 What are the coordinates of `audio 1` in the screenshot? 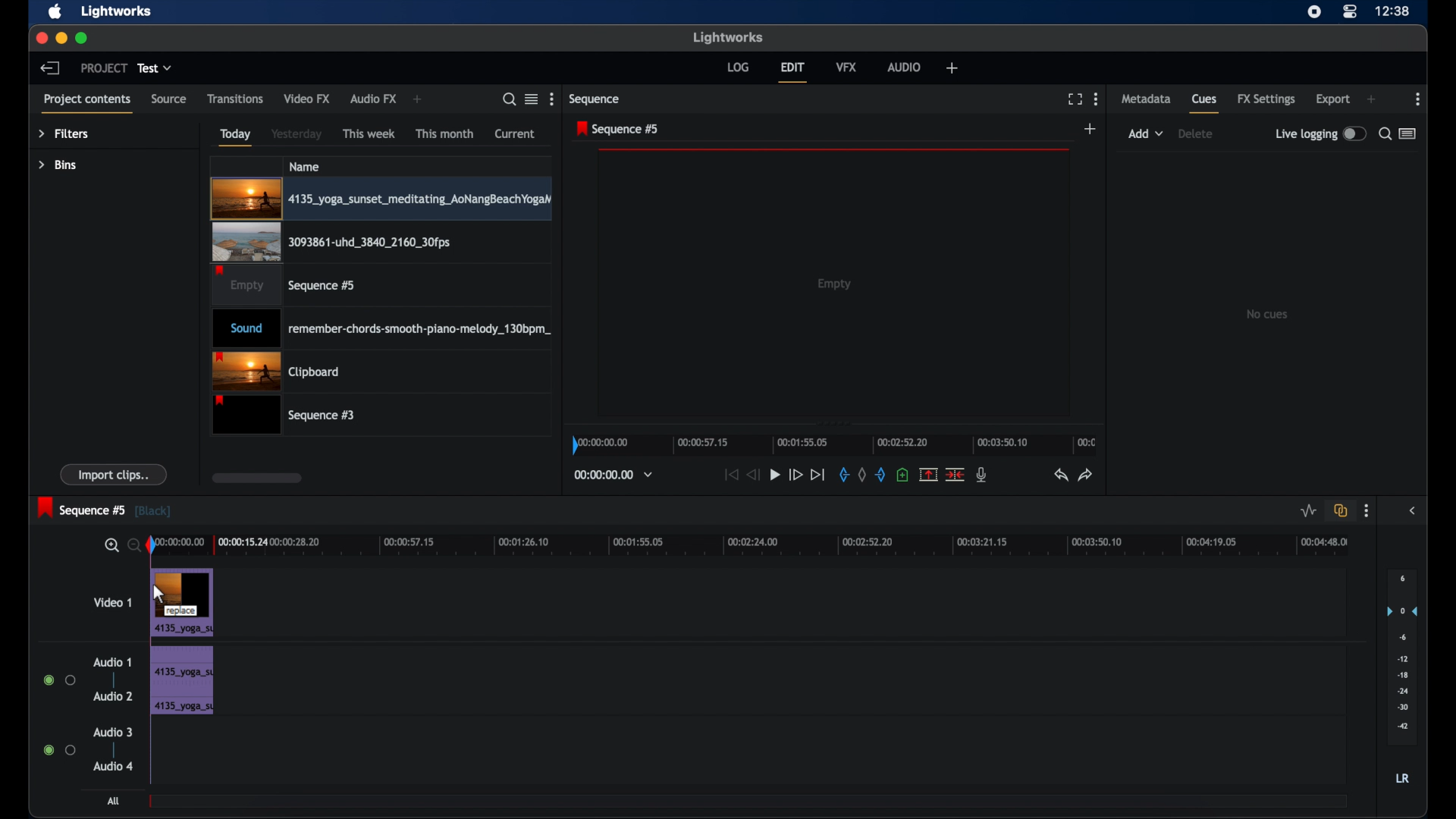 It's located at (111, 663).